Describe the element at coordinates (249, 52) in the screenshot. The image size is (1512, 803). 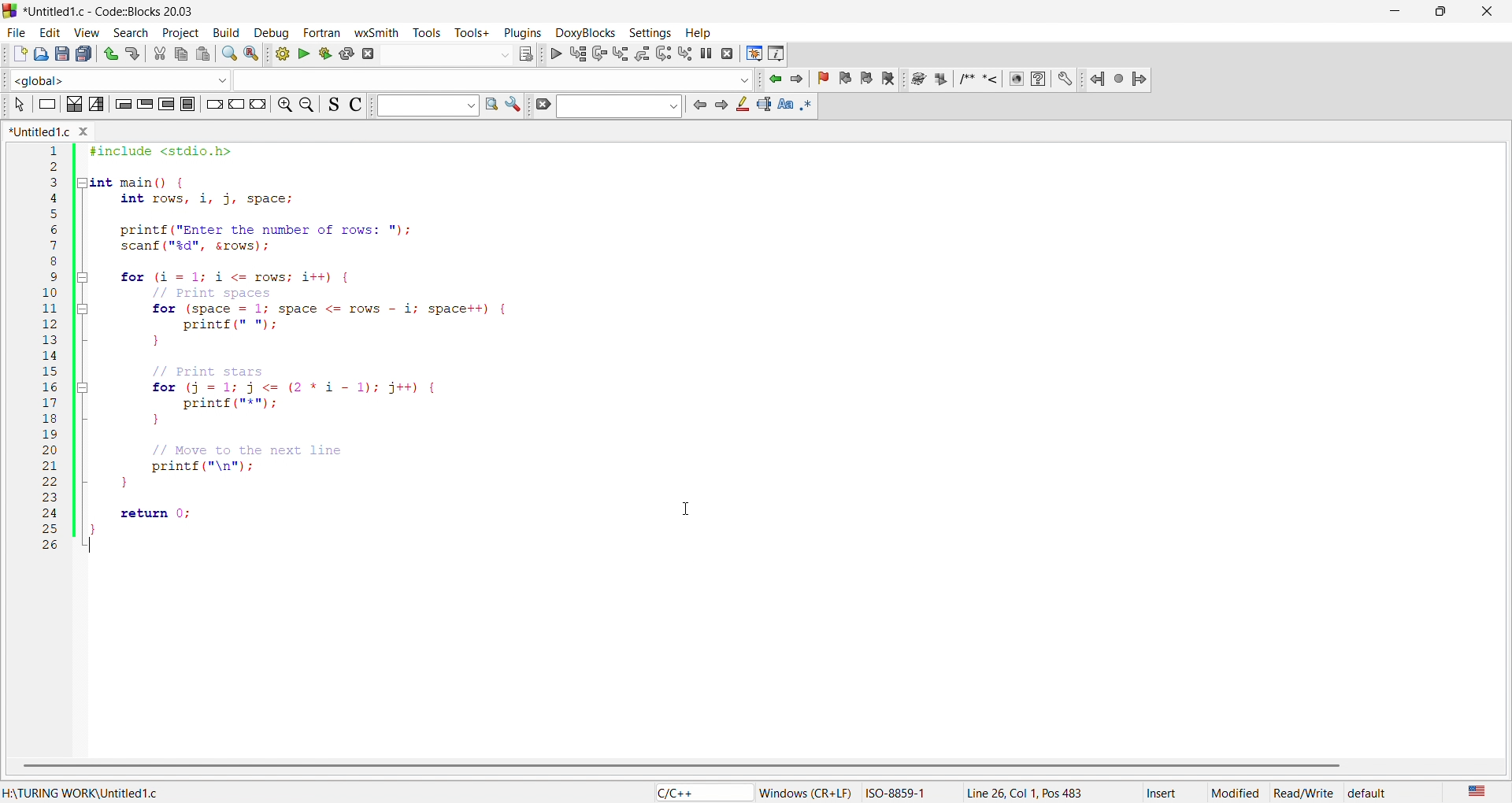
I see `replace` at that location.